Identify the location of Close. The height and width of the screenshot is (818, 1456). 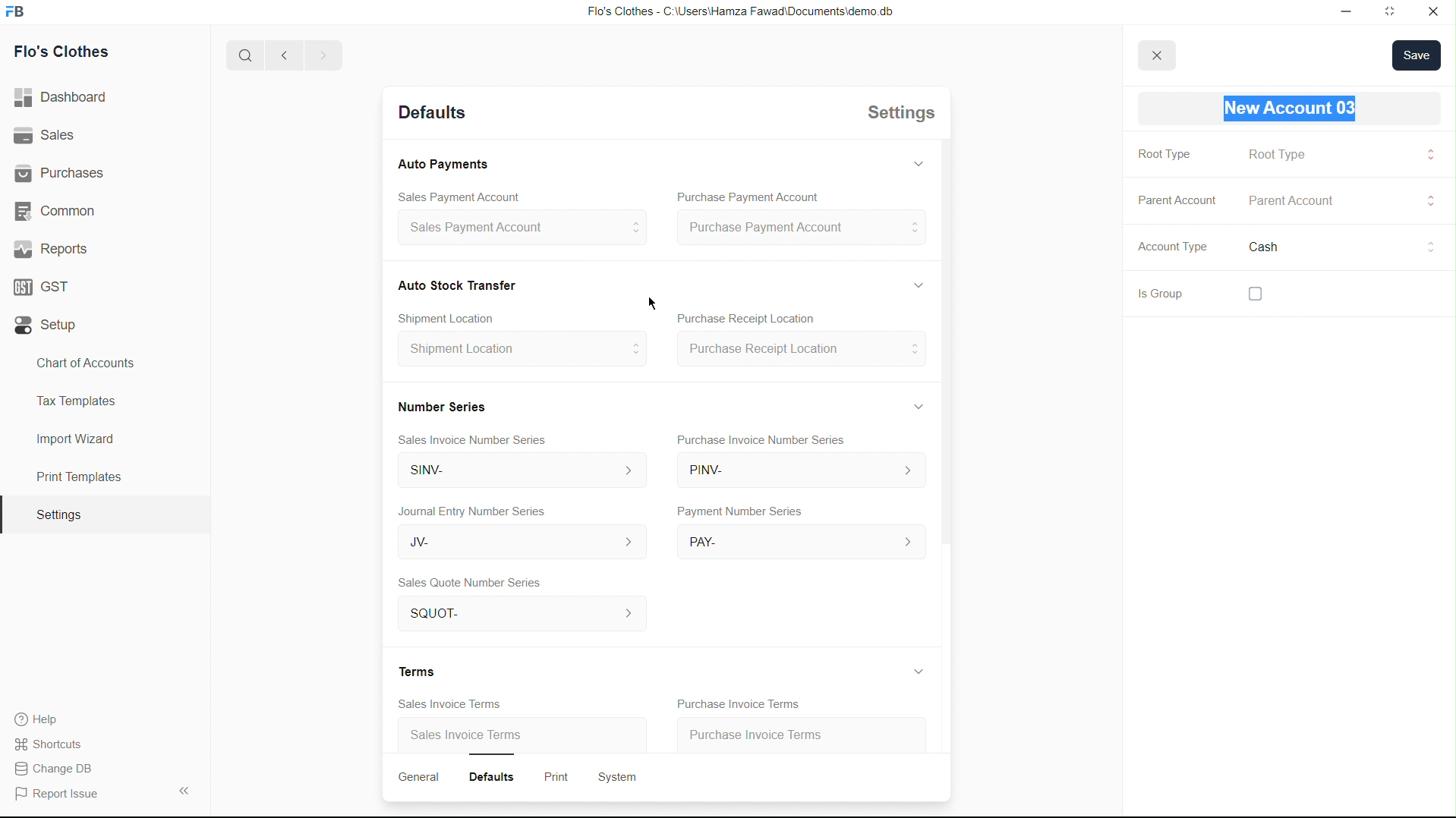
(1433, 13).